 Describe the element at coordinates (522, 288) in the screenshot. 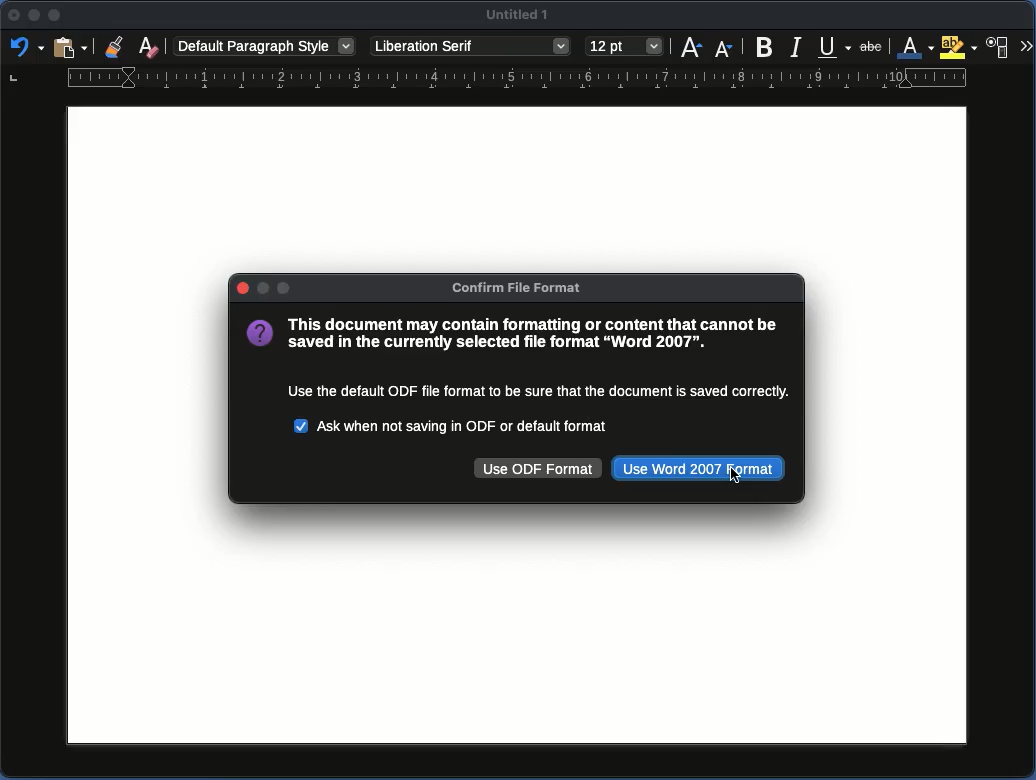

I see `Confirm file format` at that location.